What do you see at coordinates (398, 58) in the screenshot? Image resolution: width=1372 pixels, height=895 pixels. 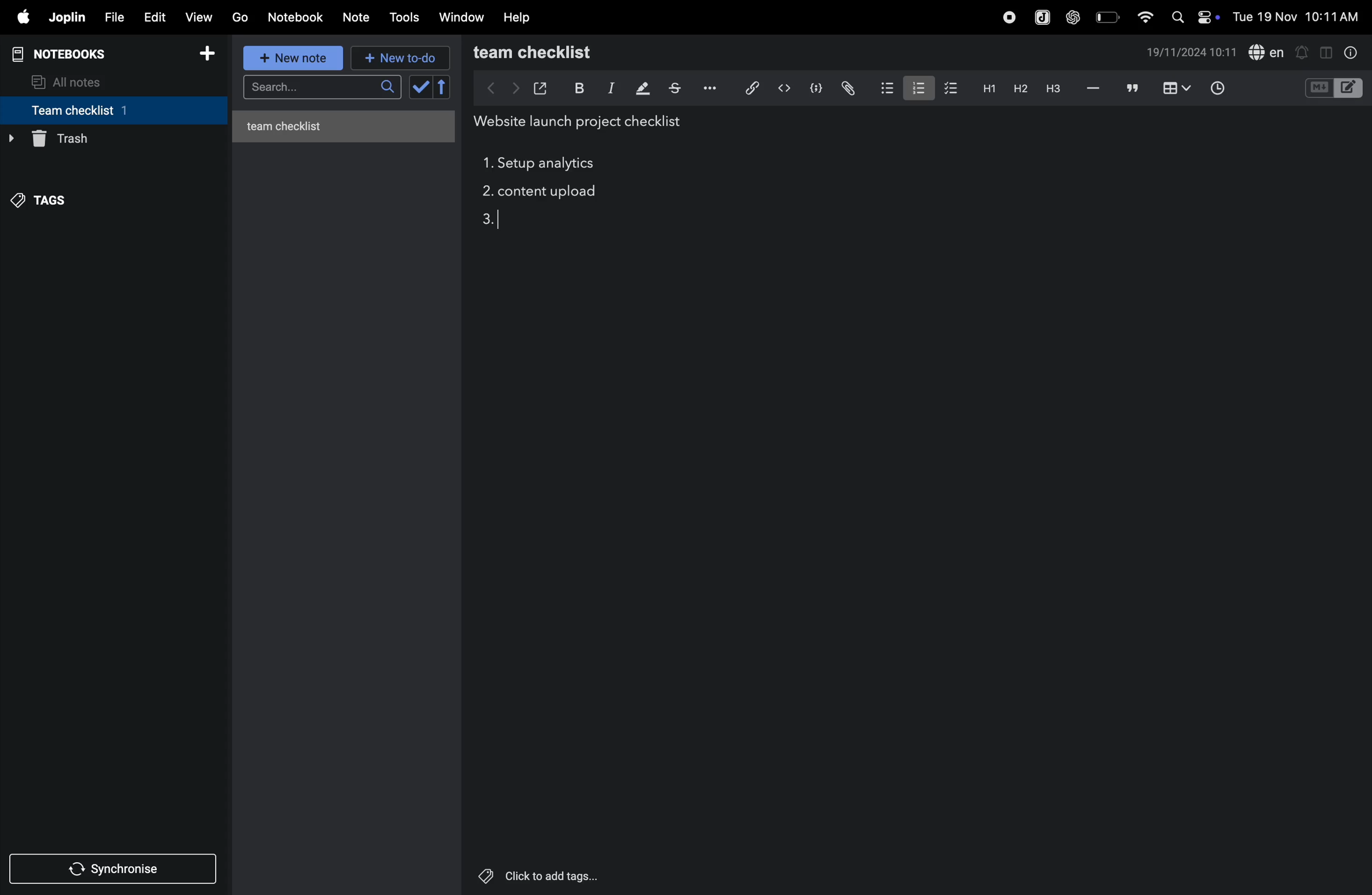 I see `new to d0` at bounding box center [398, 58].